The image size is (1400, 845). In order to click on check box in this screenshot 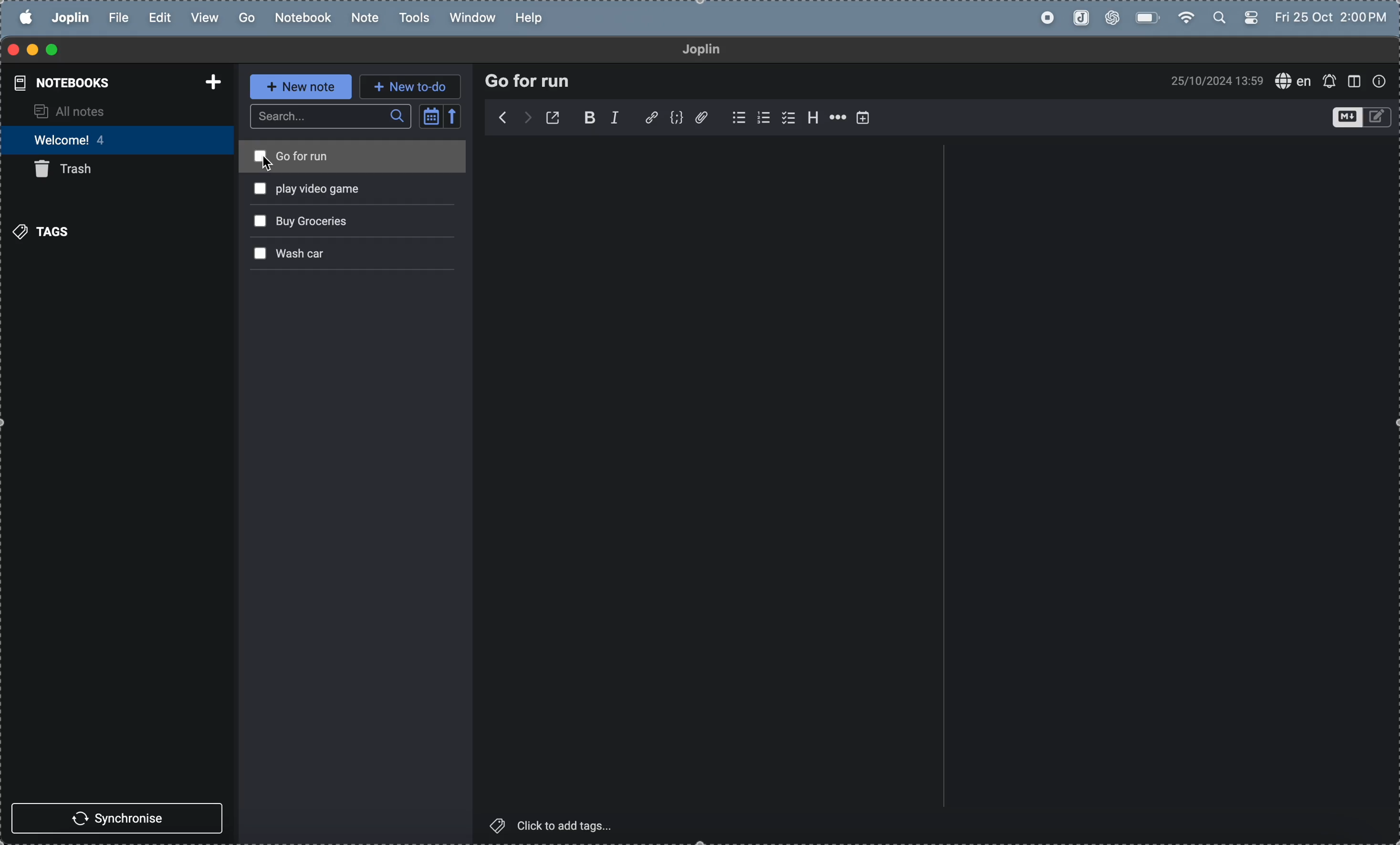, I will do `click(256, 155)`.